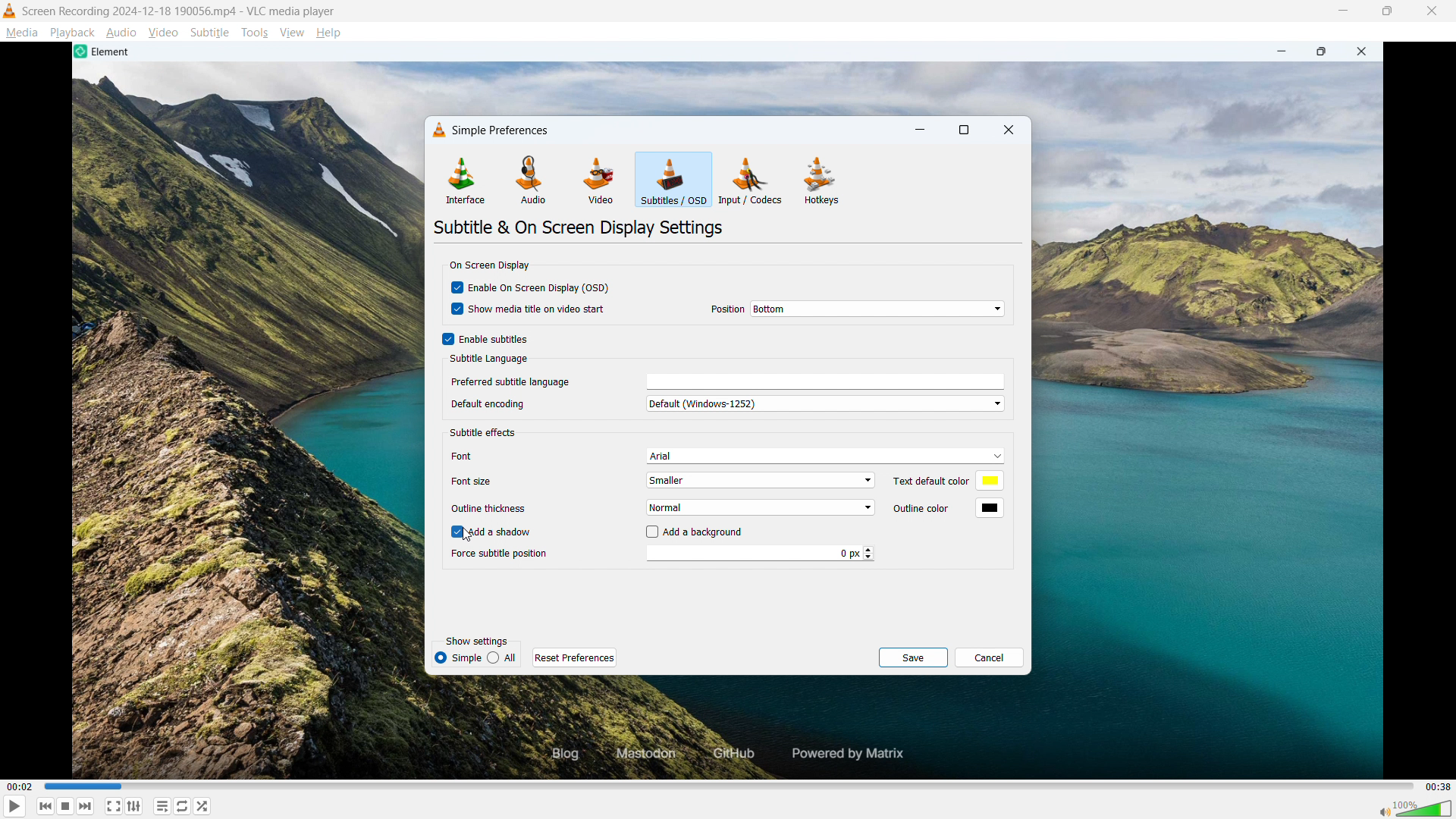 The width and height of the screenshot is (1456, 819). What do you see at coordinates (476, 642) in the screenshot?
I see `Show settings ` at bounding box center [476, 642].